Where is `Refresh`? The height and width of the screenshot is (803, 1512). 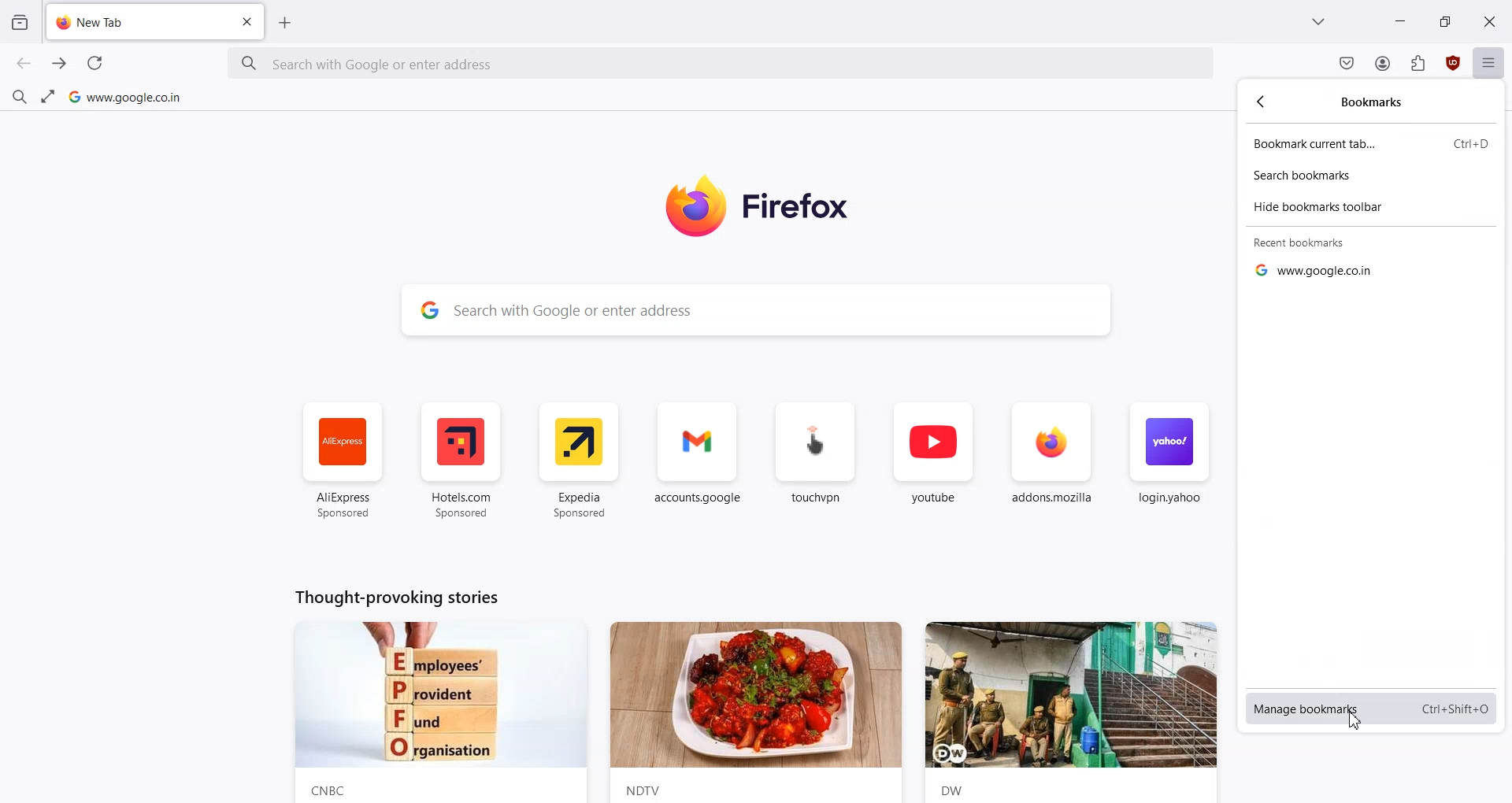 Refresh is located at coordinates (94, 63).